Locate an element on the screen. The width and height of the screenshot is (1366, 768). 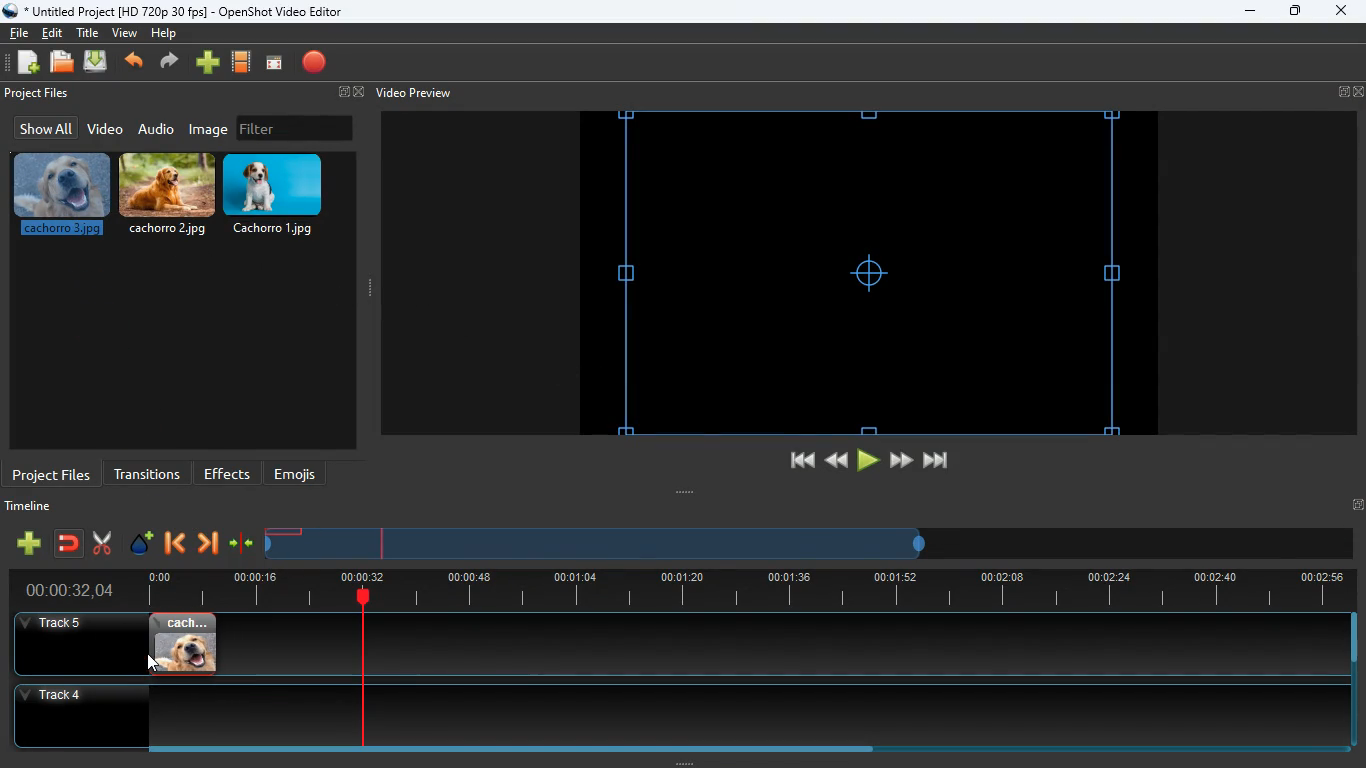
cachorro.1.jpg is located at coordinates (281, 195).